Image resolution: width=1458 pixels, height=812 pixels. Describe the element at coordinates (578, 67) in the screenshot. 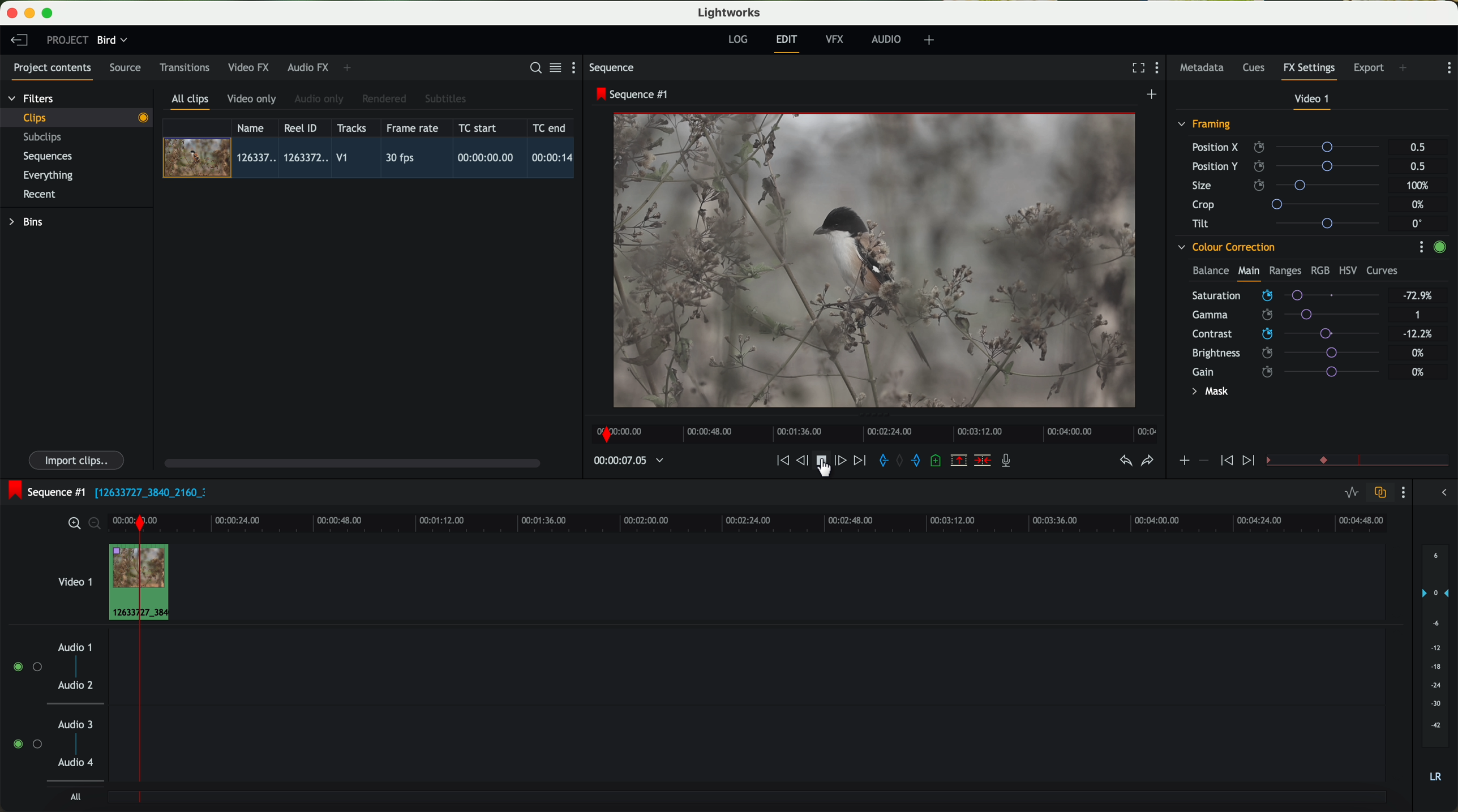

I see `show settings menu` at that location.